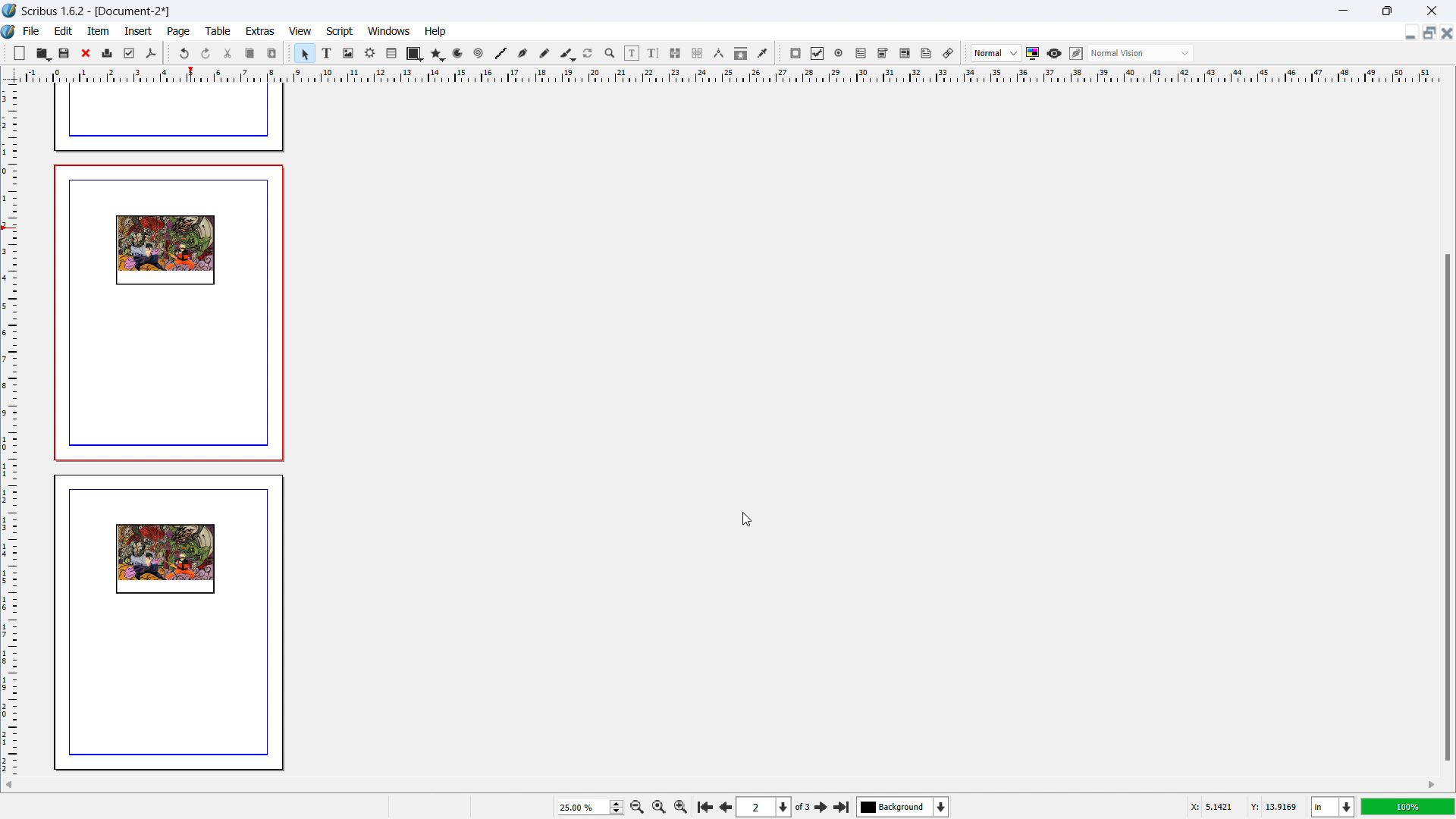  Describe the element at coordinates (588, 54) in the screenshot. I see `rotate item` at that location.